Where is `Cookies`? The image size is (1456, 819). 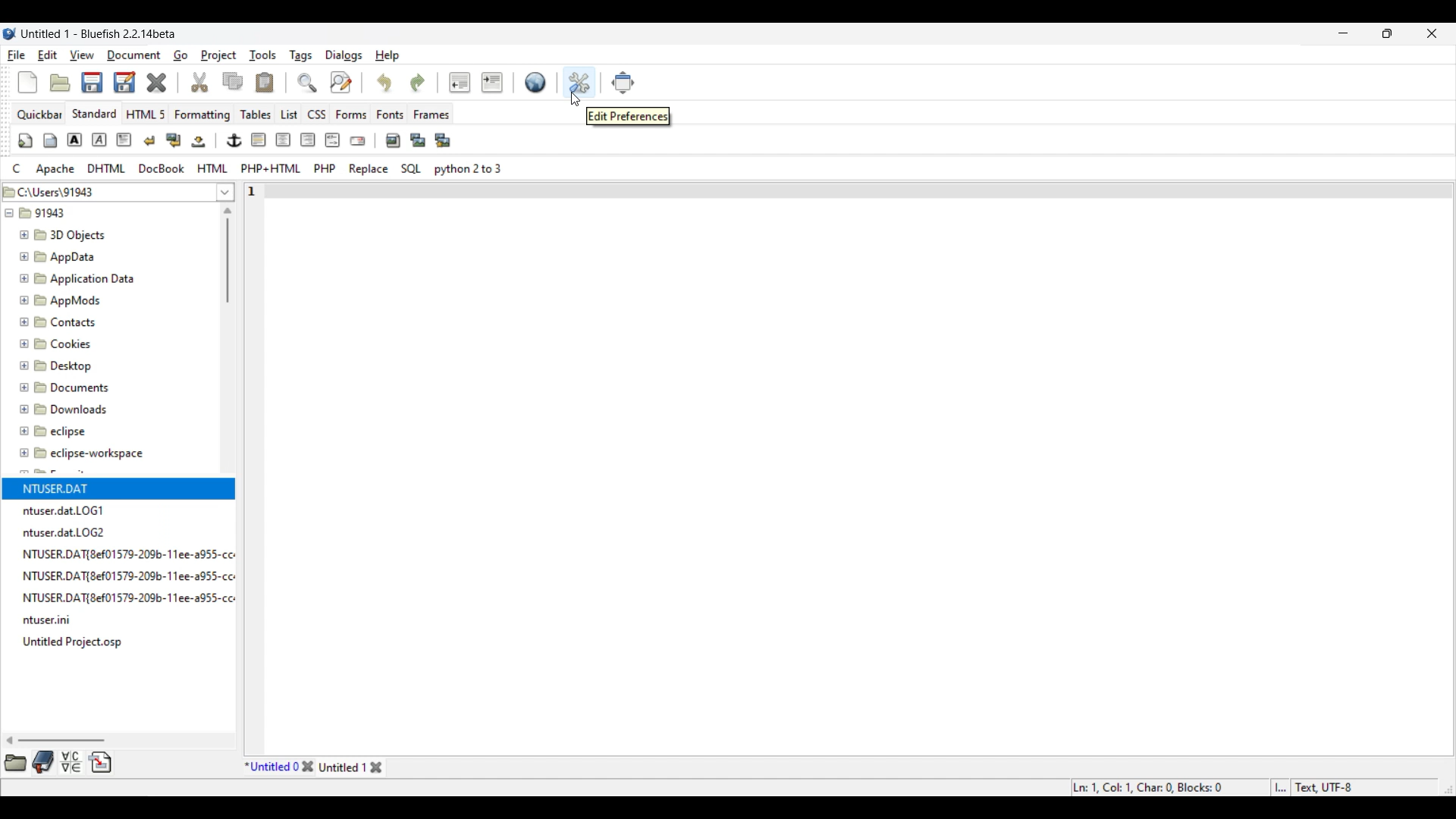 Cookies is located at coordinates (57, 343).